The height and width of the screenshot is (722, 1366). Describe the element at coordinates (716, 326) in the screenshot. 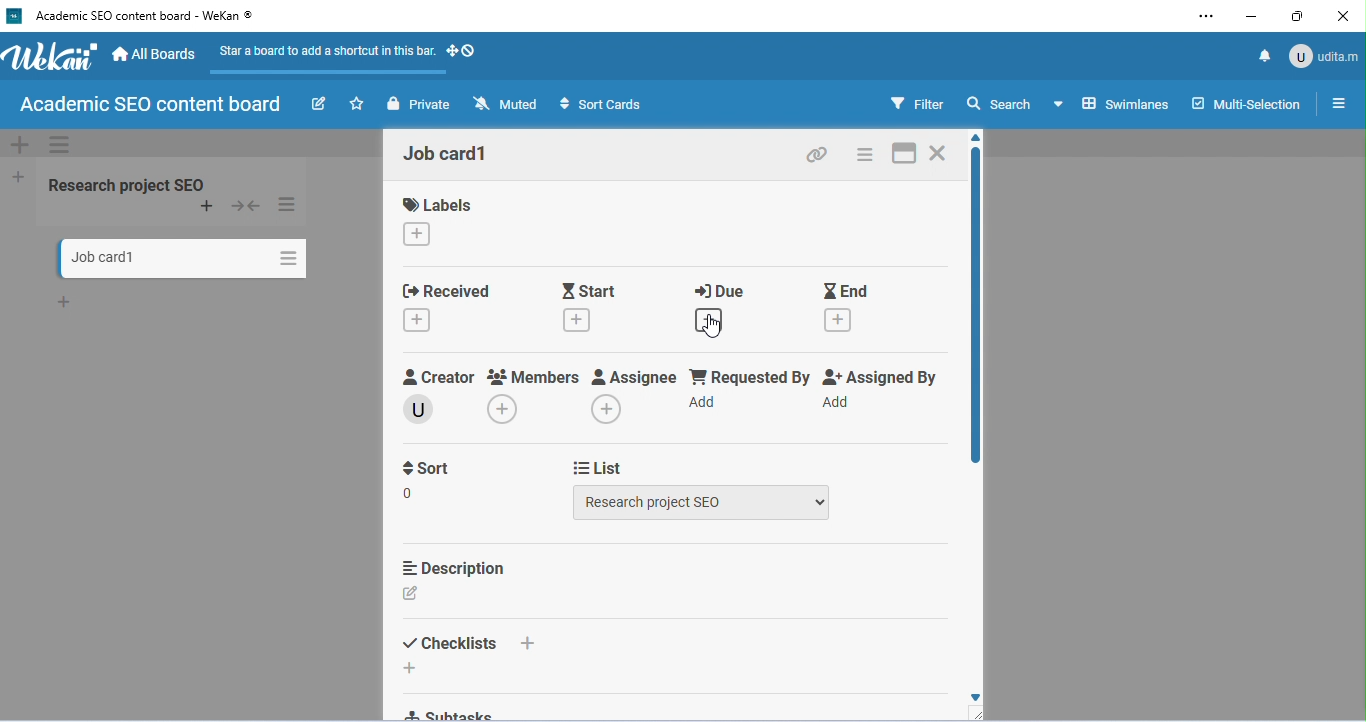

I see `cursor movement` at that location.